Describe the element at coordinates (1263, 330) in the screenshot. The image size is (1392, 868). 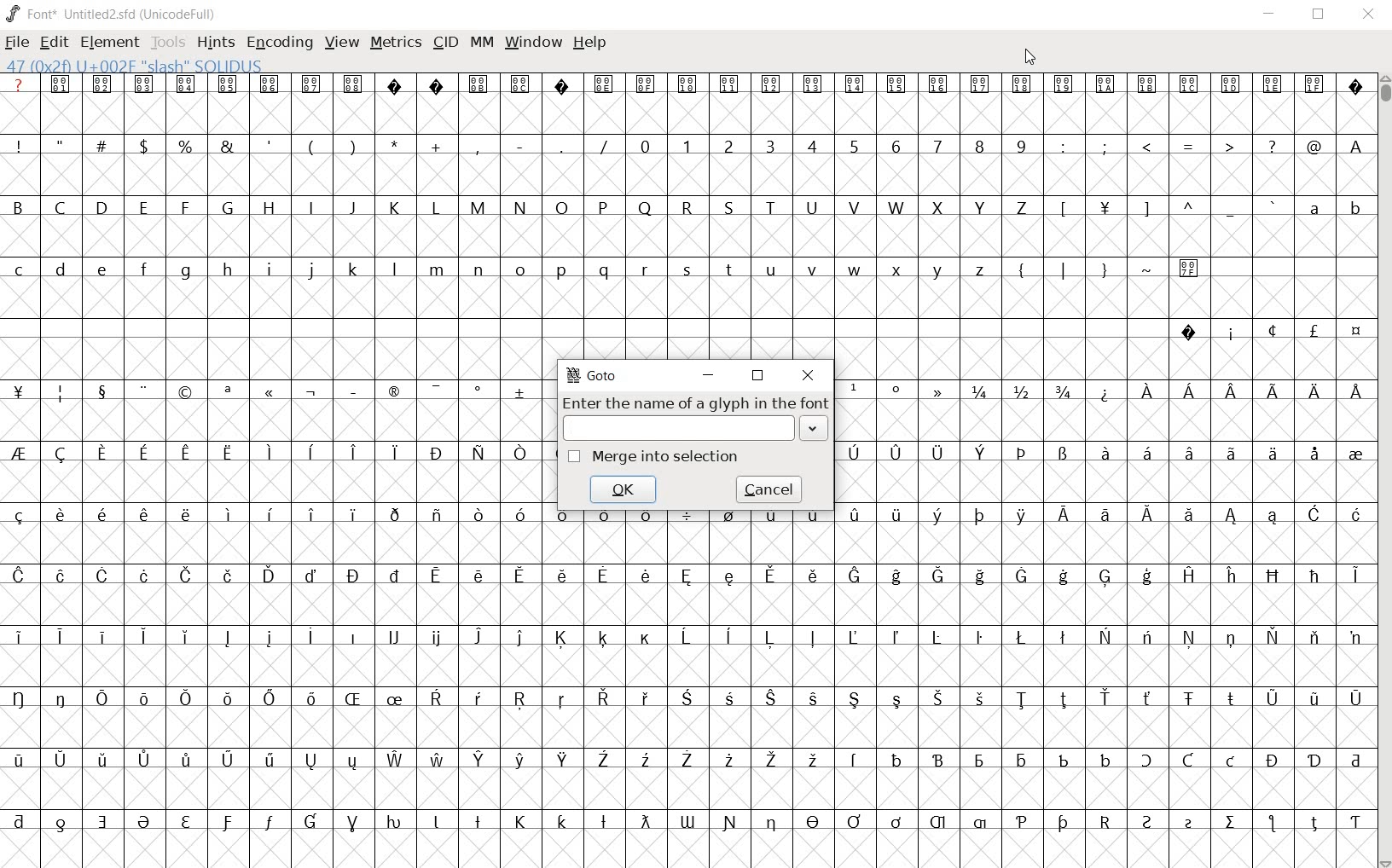
I see `special symbols` at that location.